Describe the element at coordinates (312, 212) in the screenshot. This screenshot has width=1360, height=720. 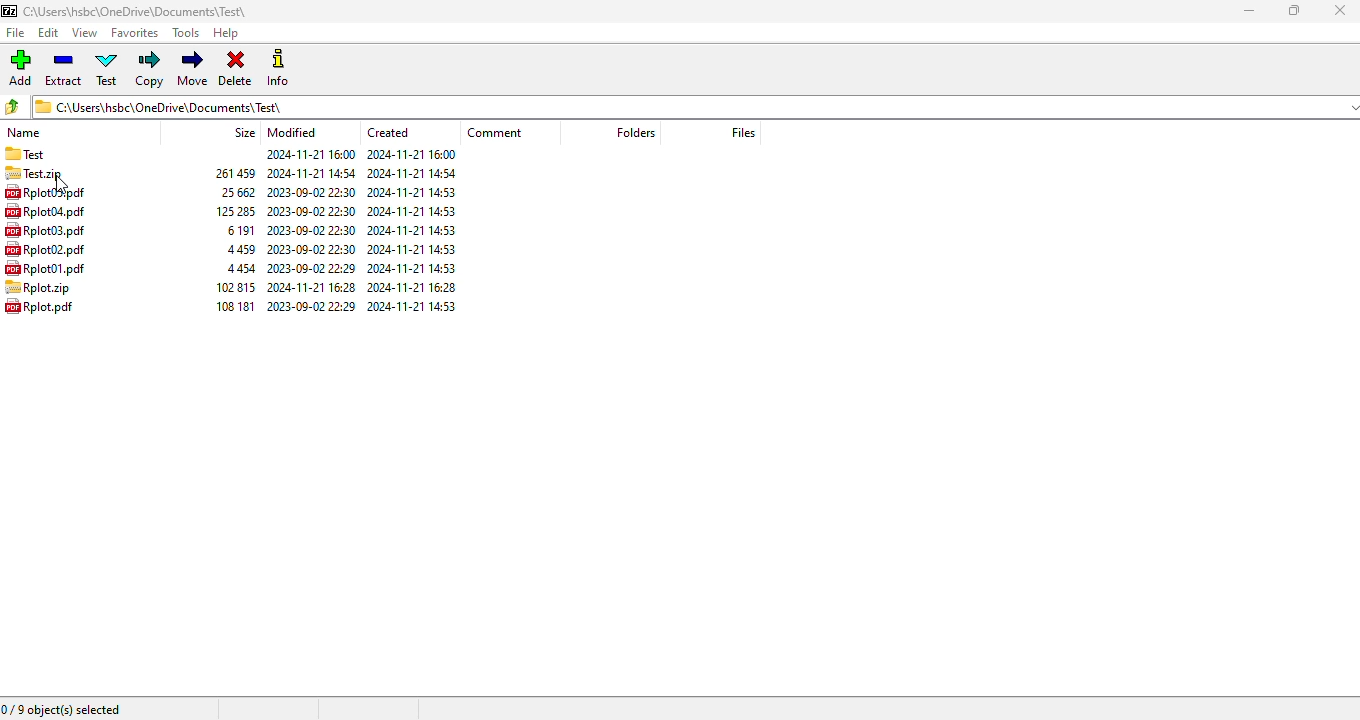
I see `modified date & time` at that location.